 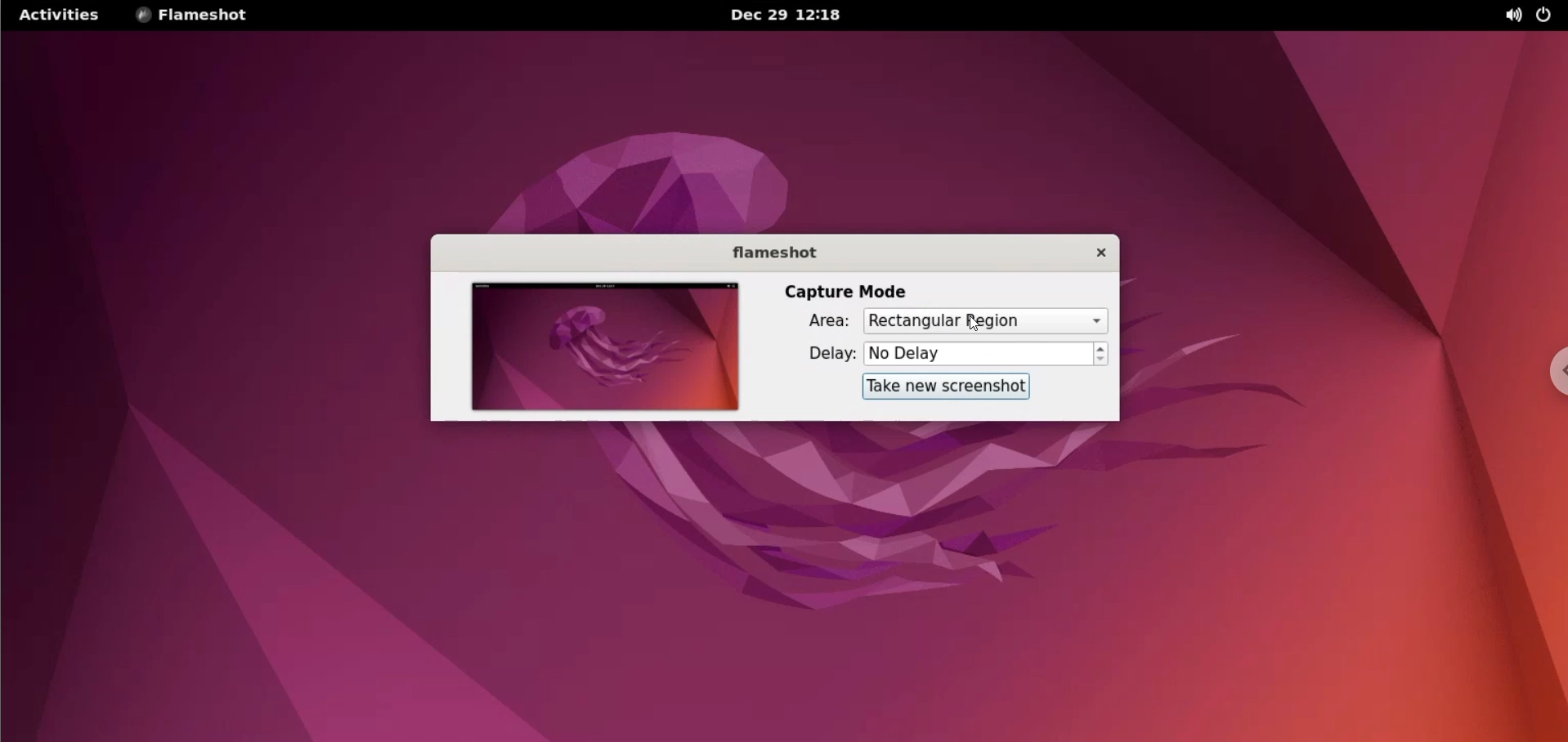 What do you see at coordinates (1558, 369) in the screenshot?
I see `chrome options` at bounding box center [1558, 369].